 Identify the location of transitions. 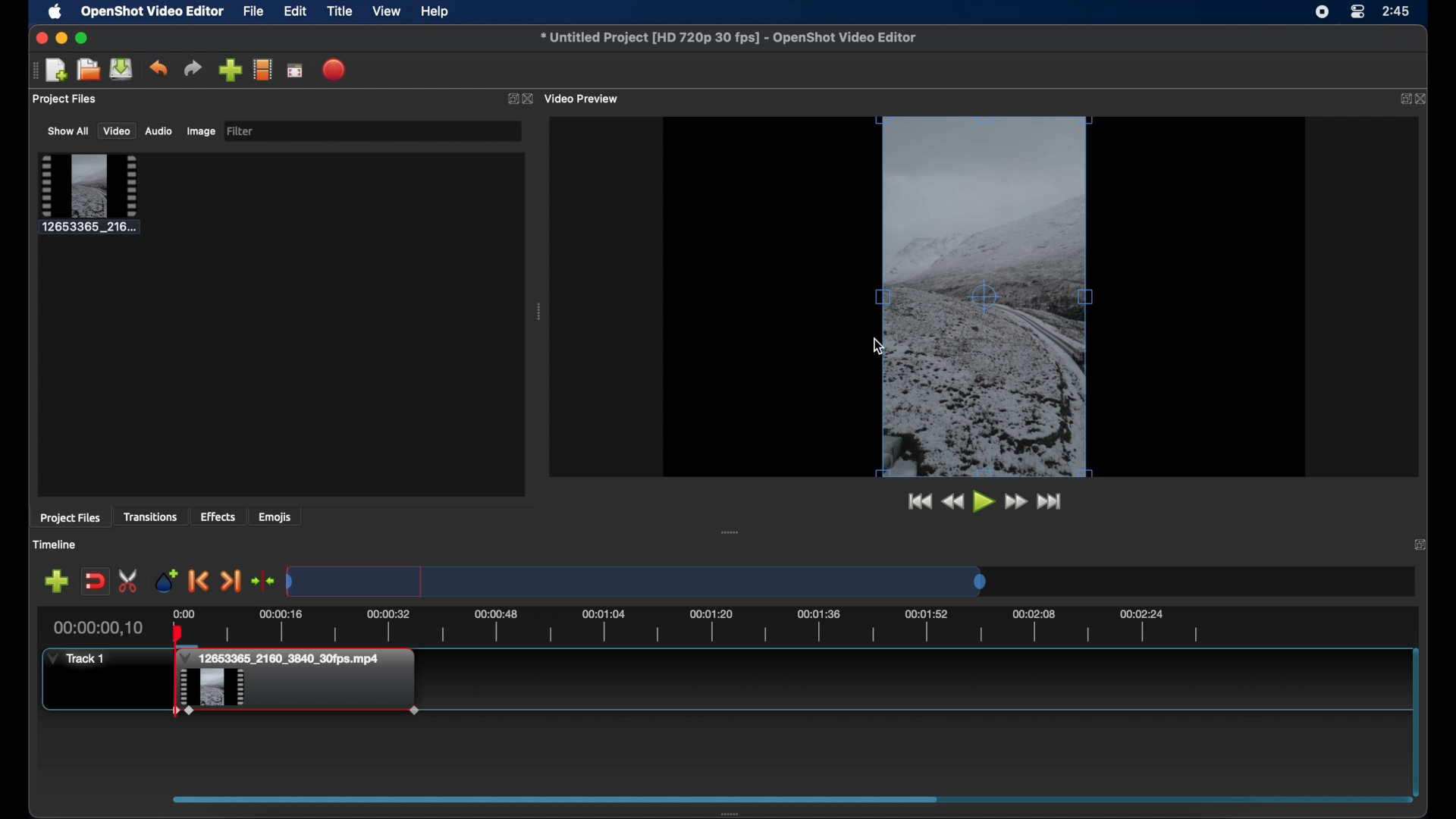
(152, 516).